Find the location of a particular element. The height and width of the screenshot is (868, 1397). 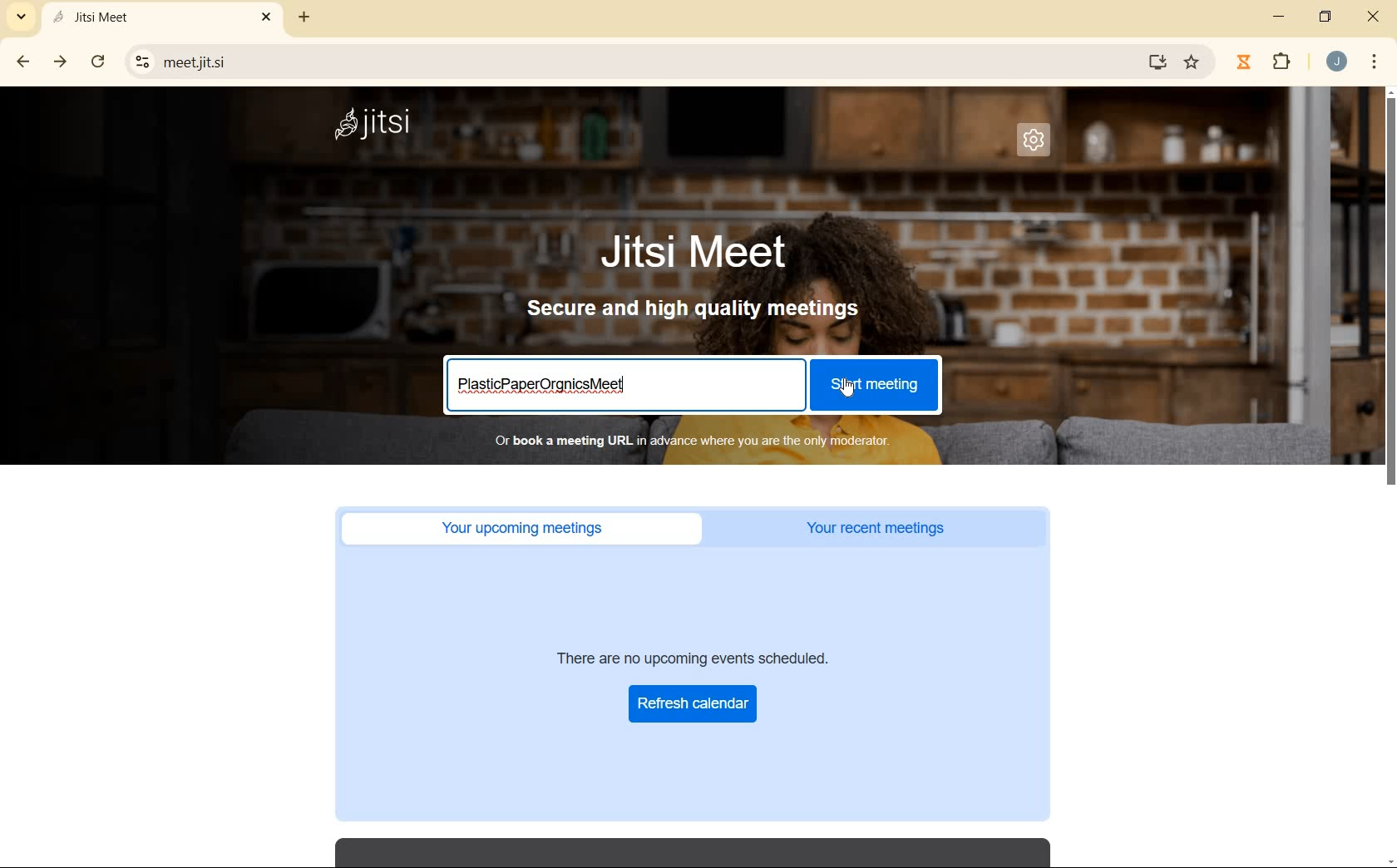

start meeting is located at coordinates (873, 382).